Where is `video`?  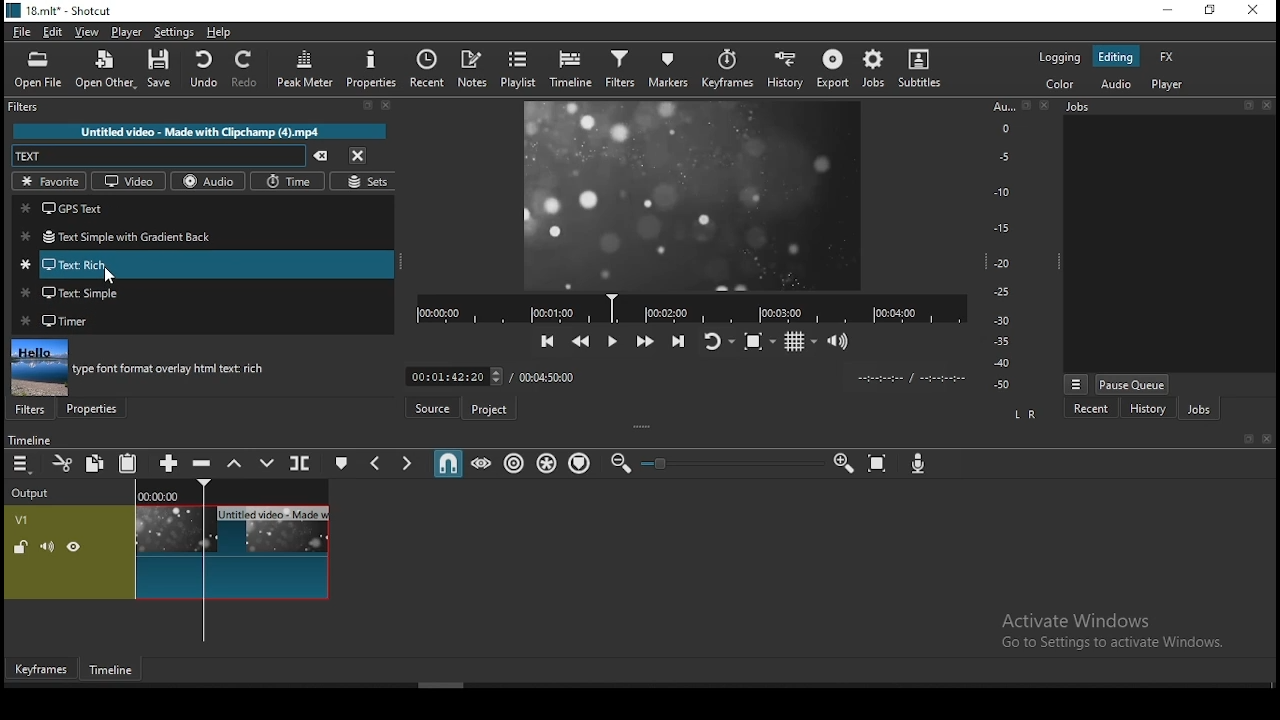 video is located at coordinates (131, 182).